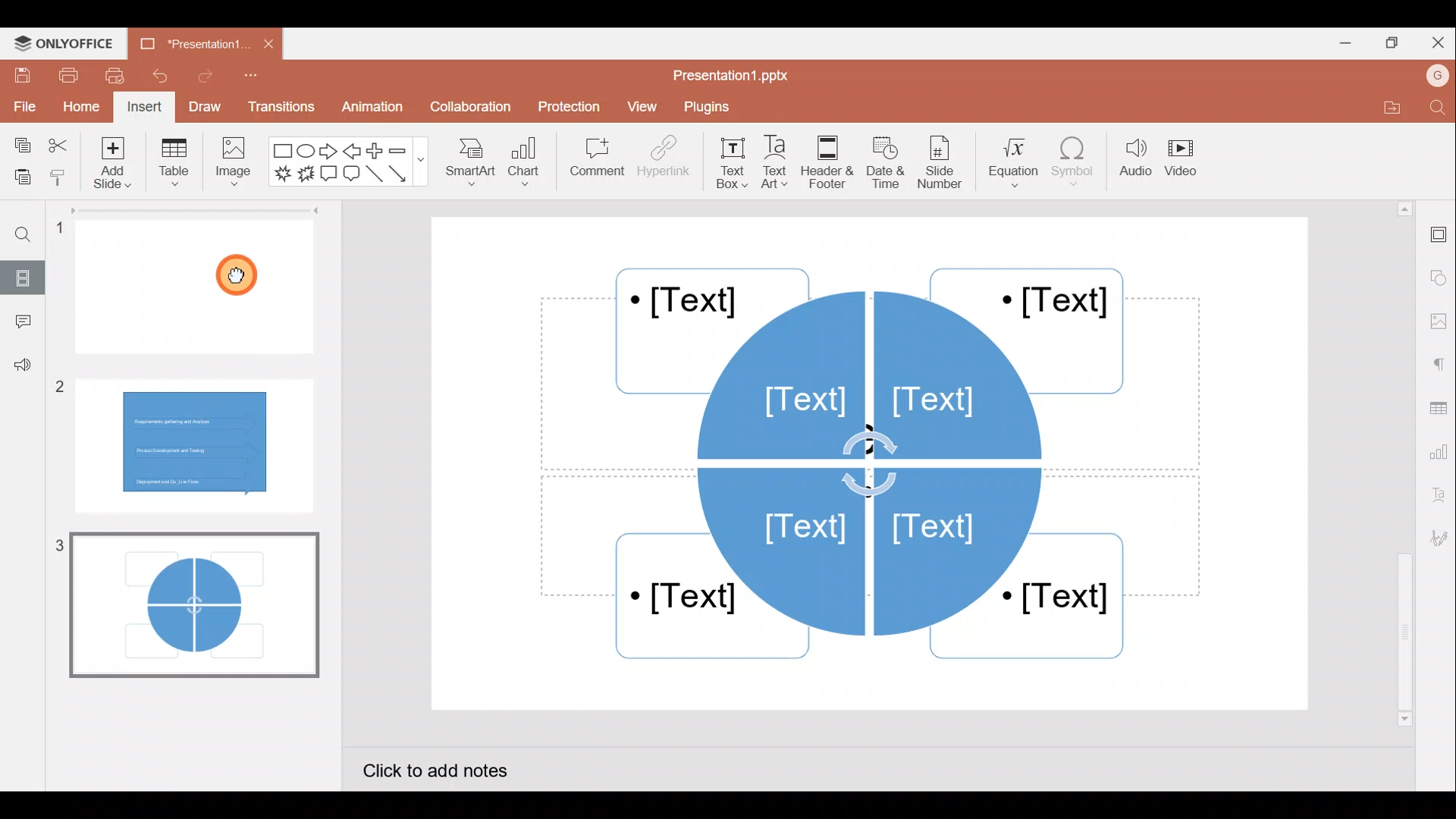 The width and height of the screenshot is (1456, 819). Describe the element at coordinates (196, 441) in the screenshot. I see `Slide 2` at that location.